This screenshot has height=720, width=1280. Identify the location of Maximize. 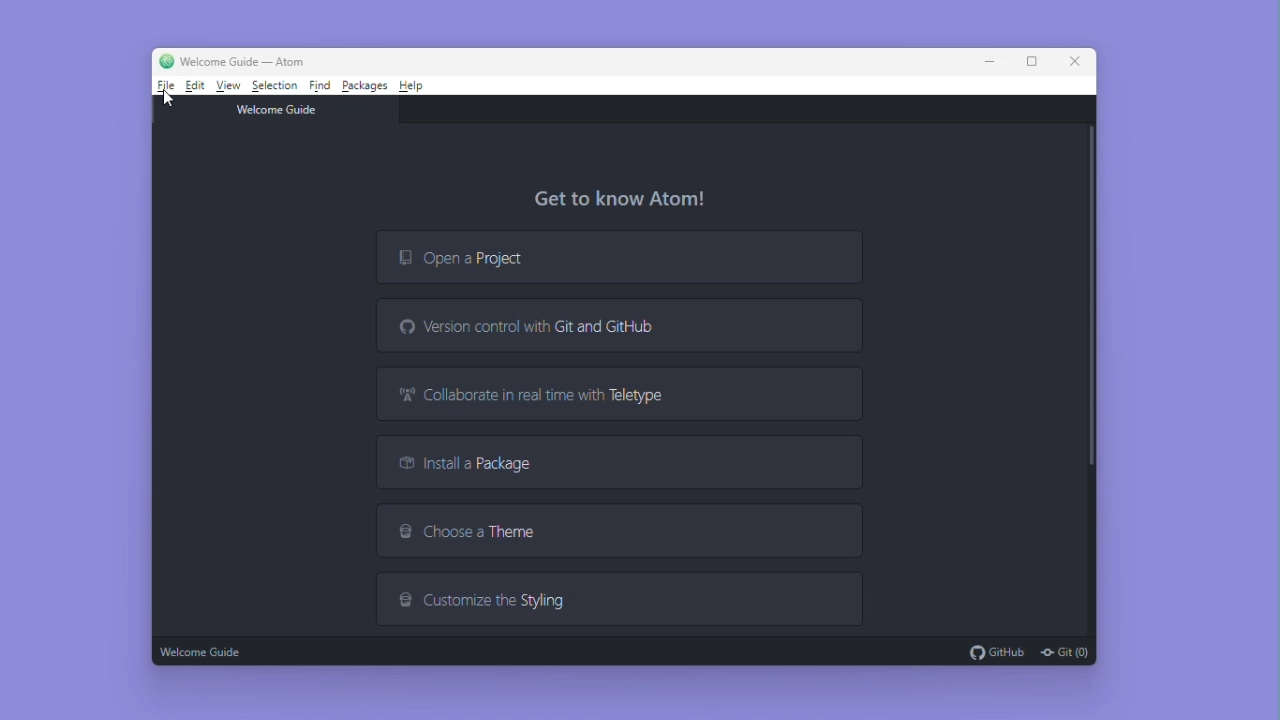
(1031, 59).